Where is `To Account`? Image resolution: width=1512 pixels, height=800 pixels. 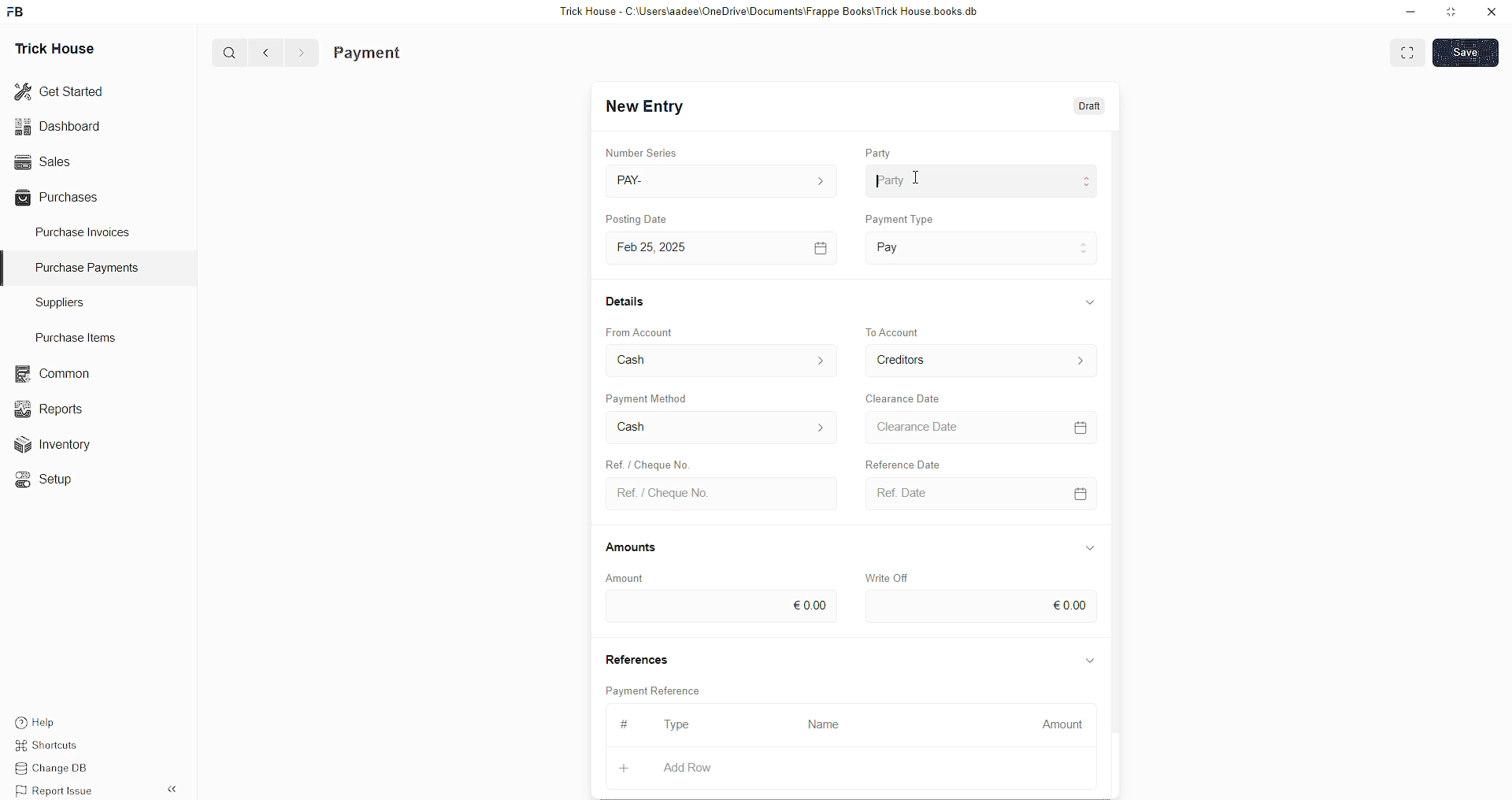
To Account is located at coordinates (896, 331).